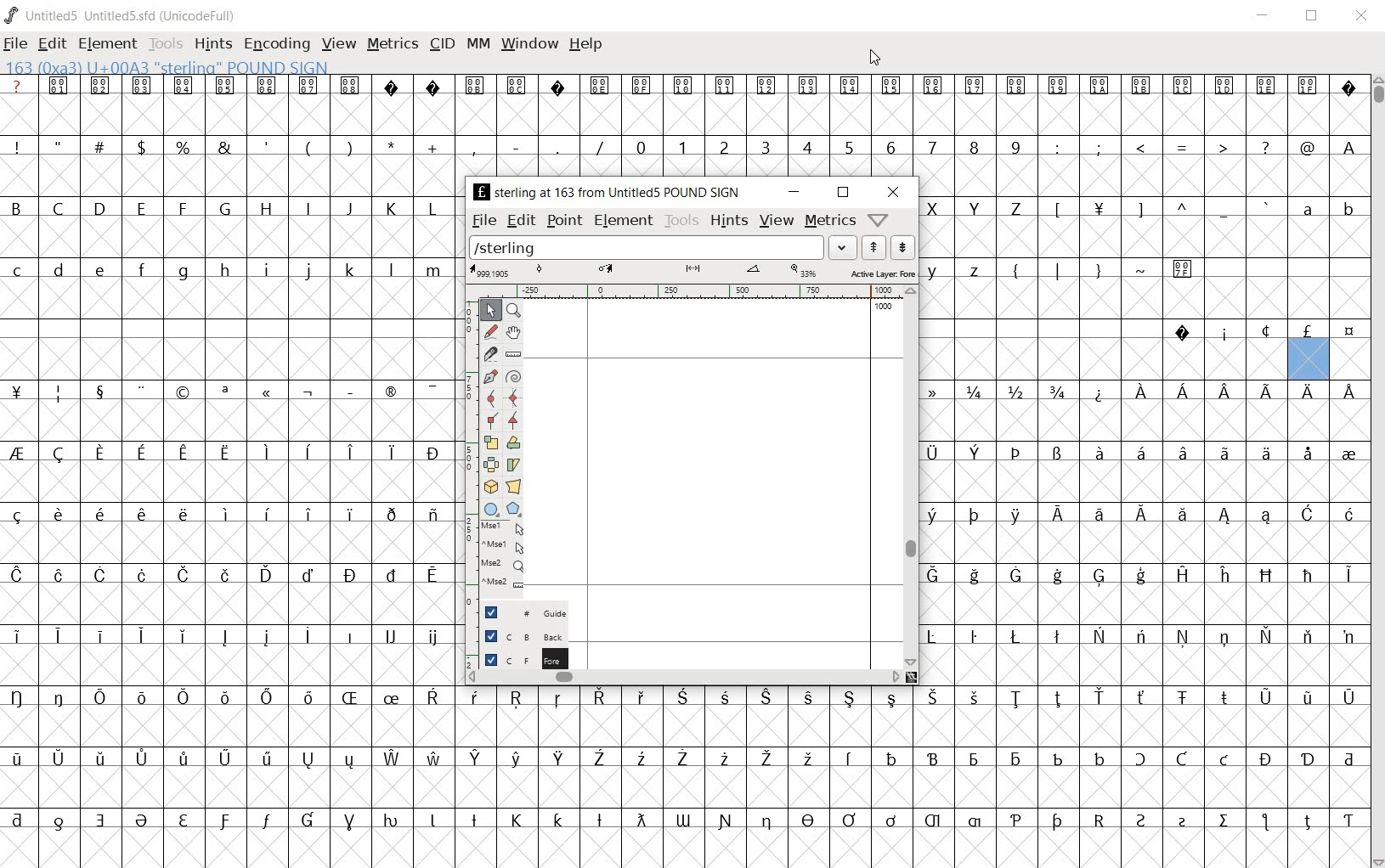  What do you see at coordinates (140, 635) in the screenshot?
I see `Symbol` at bounding box center [140, 635].